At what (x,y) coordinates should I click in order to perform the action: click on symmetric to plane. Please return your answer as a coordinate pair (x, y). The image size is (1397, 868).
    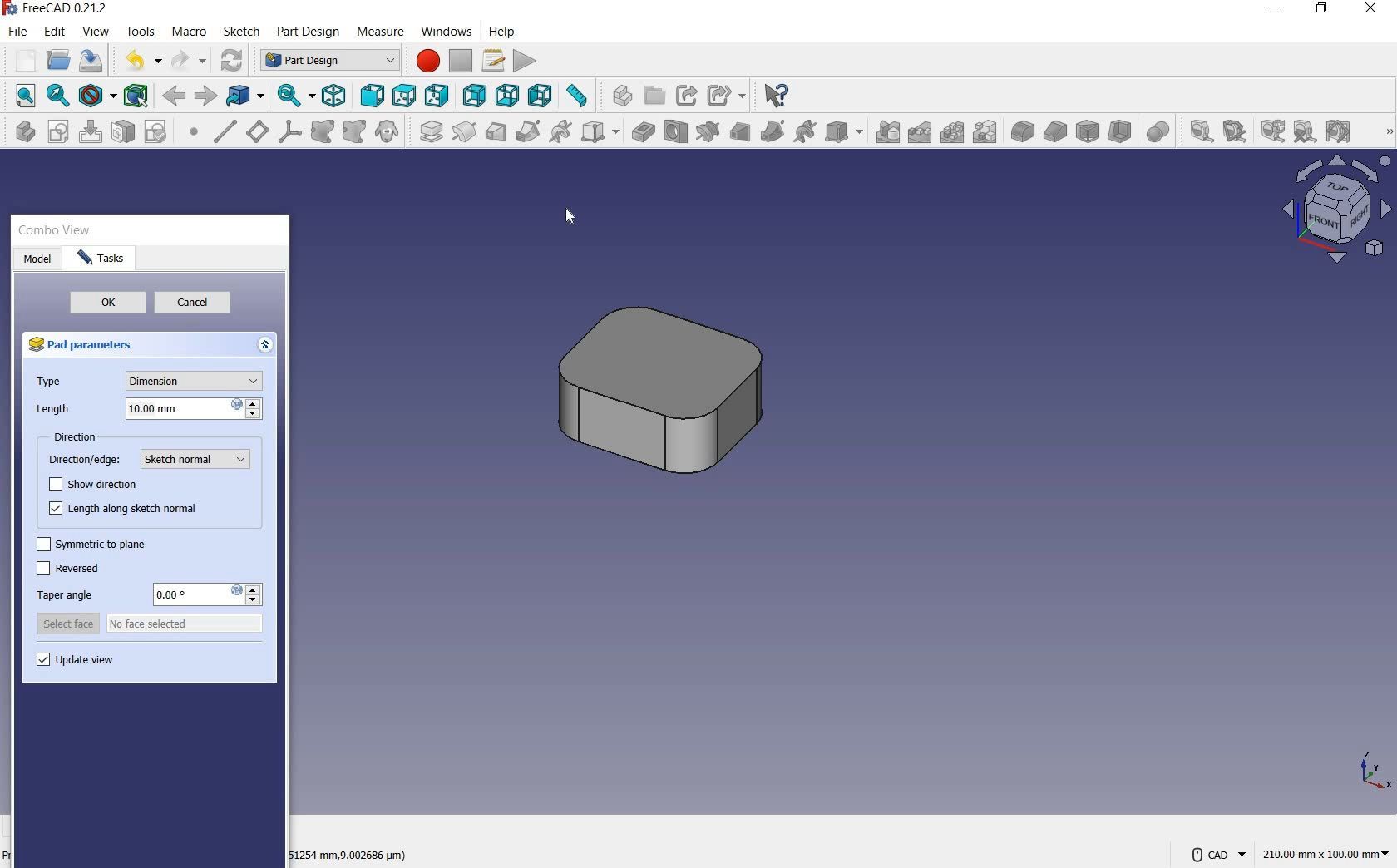
    Looking at the image, I should click on (89, 542).